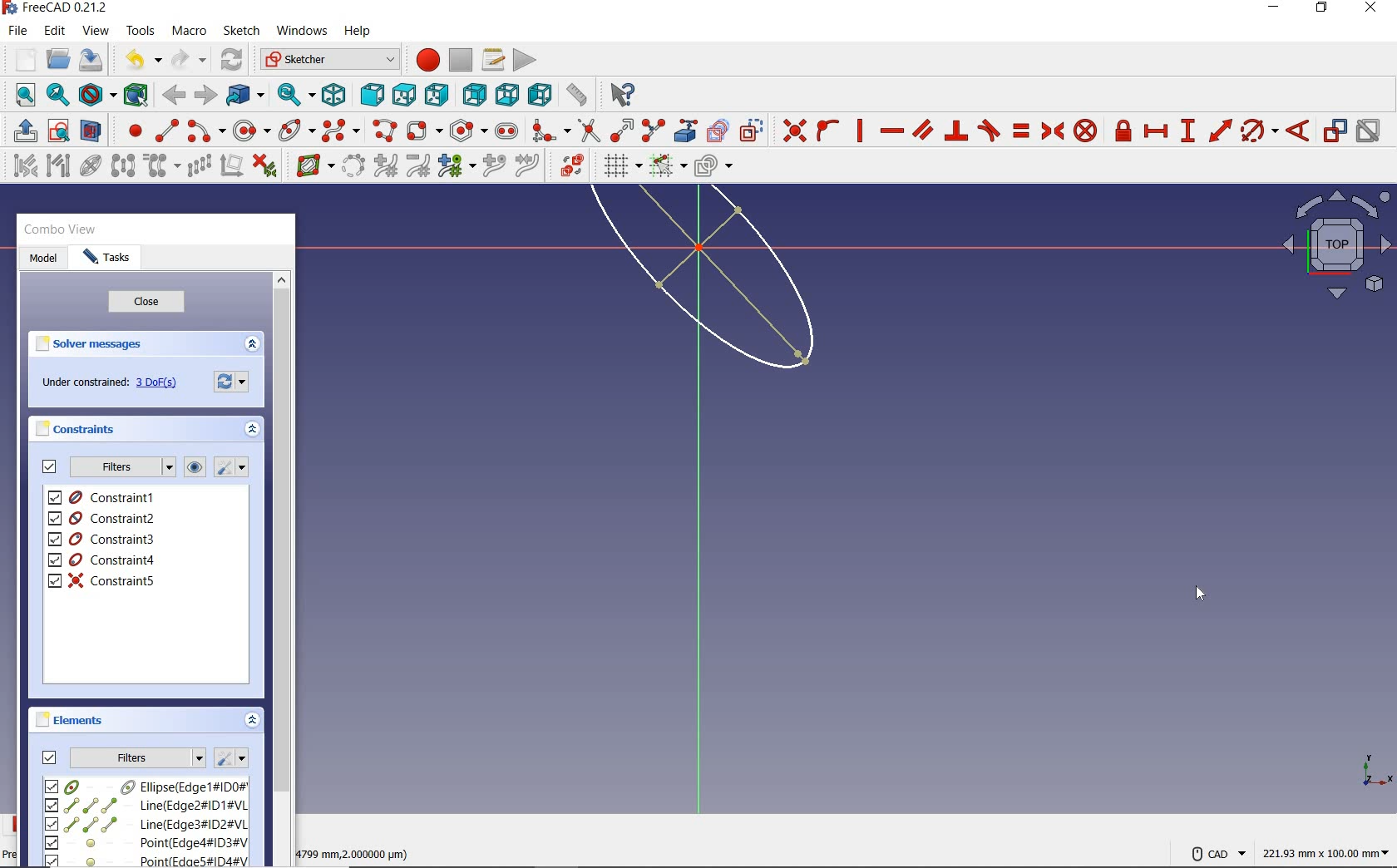  I want to click on view sketch, so click(60, 129).